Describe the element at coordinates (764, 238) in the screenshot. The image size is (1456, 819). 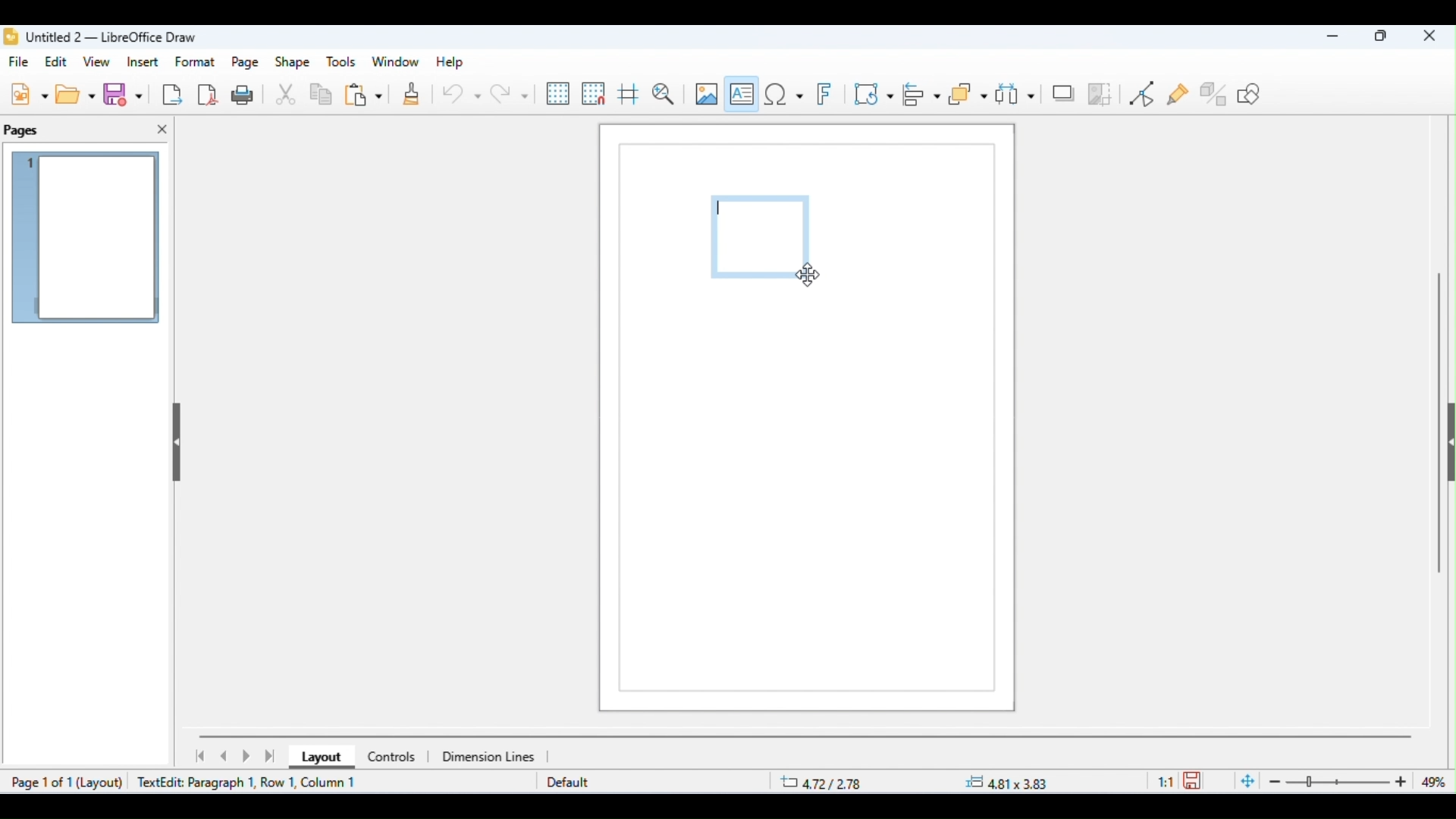
I see `text box appeared` at that location.